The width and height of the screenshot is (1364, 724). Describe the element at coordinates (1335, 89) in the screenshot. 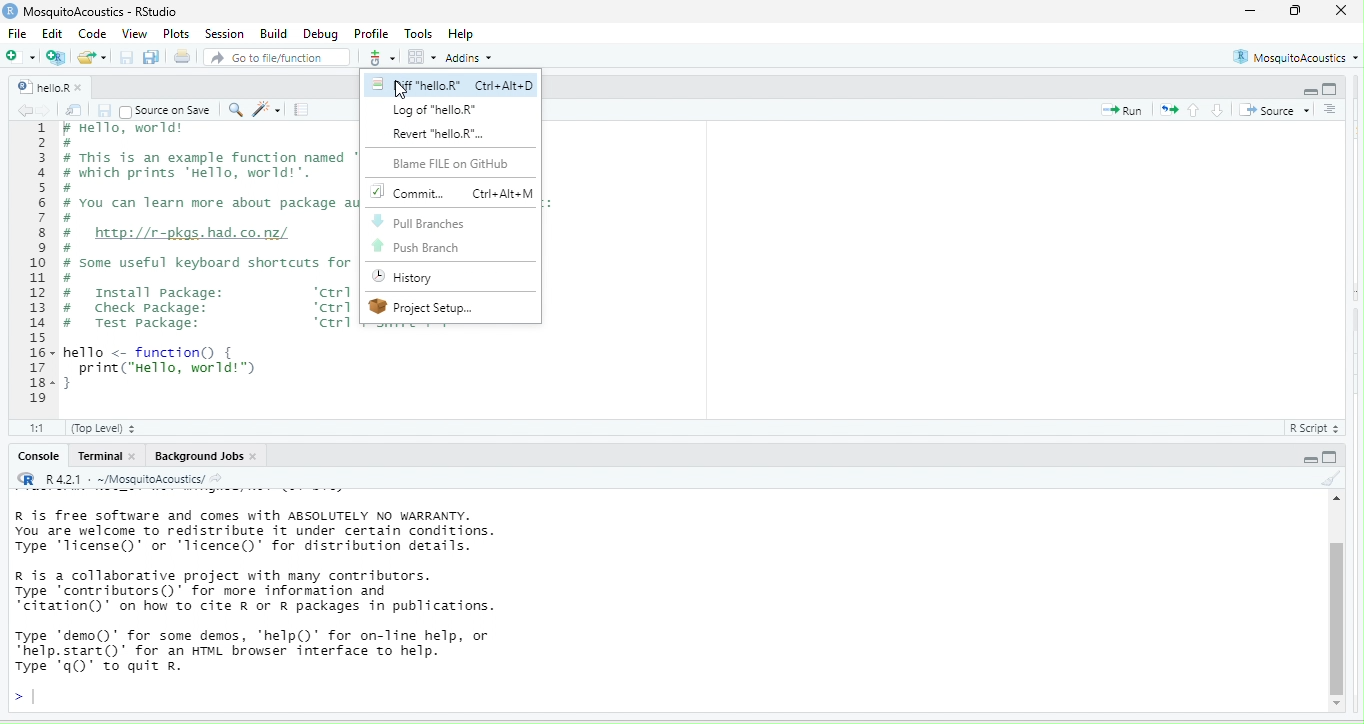

I see `hide console` at that location.